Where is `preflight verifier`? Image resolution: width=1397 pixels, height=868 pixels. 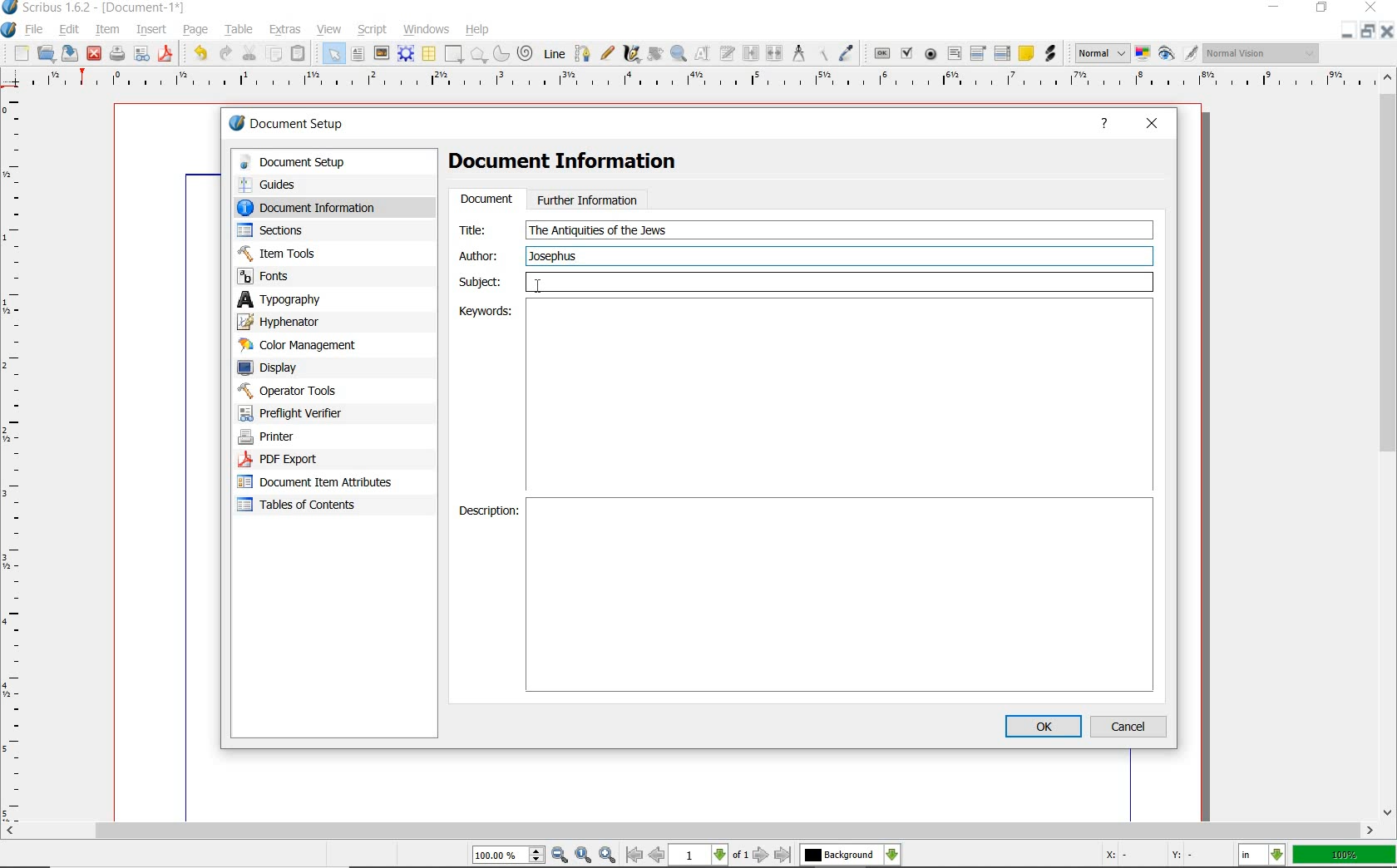
preflight verifier is located at coordinates (141, 55).